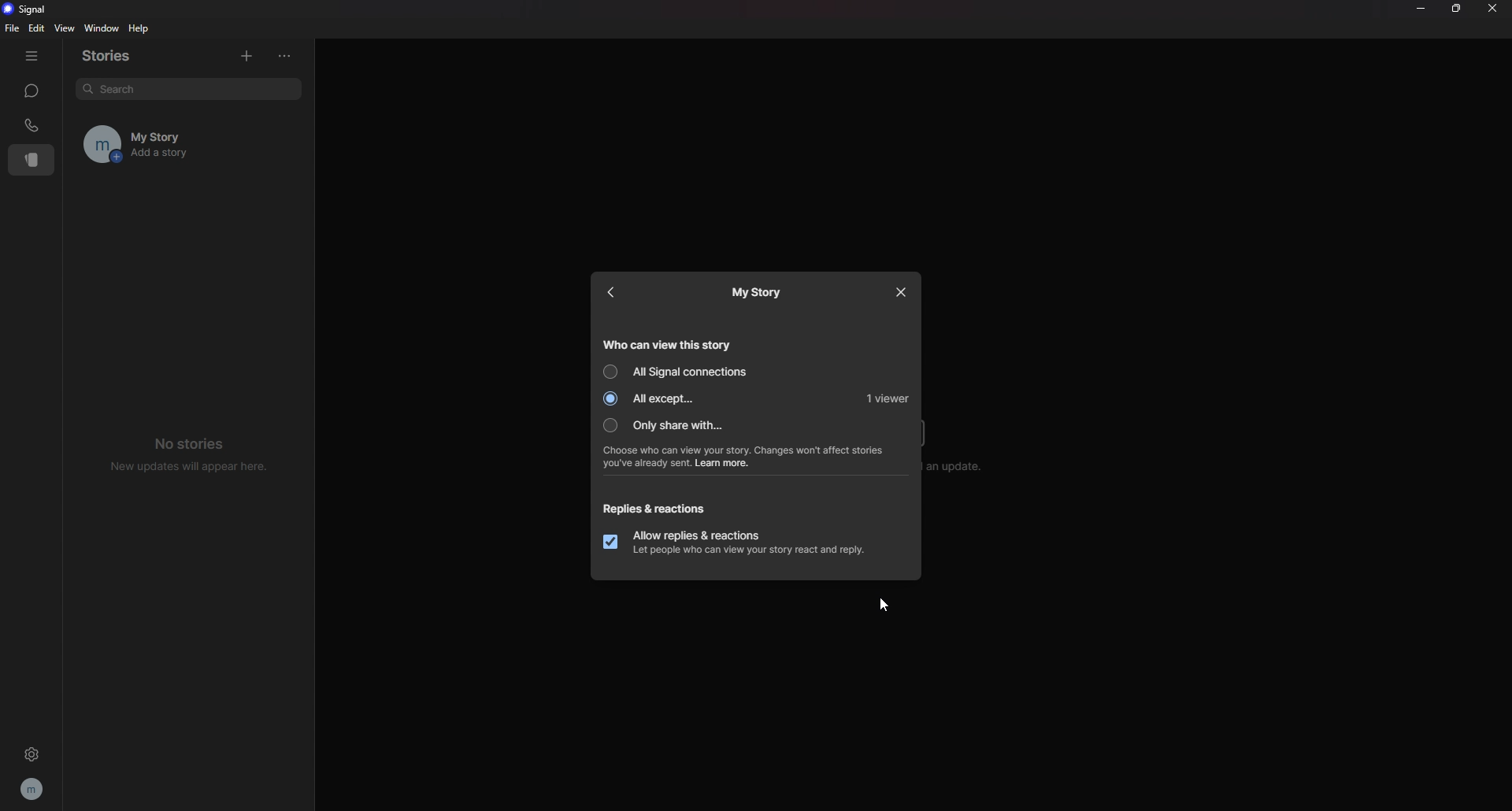  I want to click on allow replies and reactions let people who can view your story react and reply, so click(748, 543).